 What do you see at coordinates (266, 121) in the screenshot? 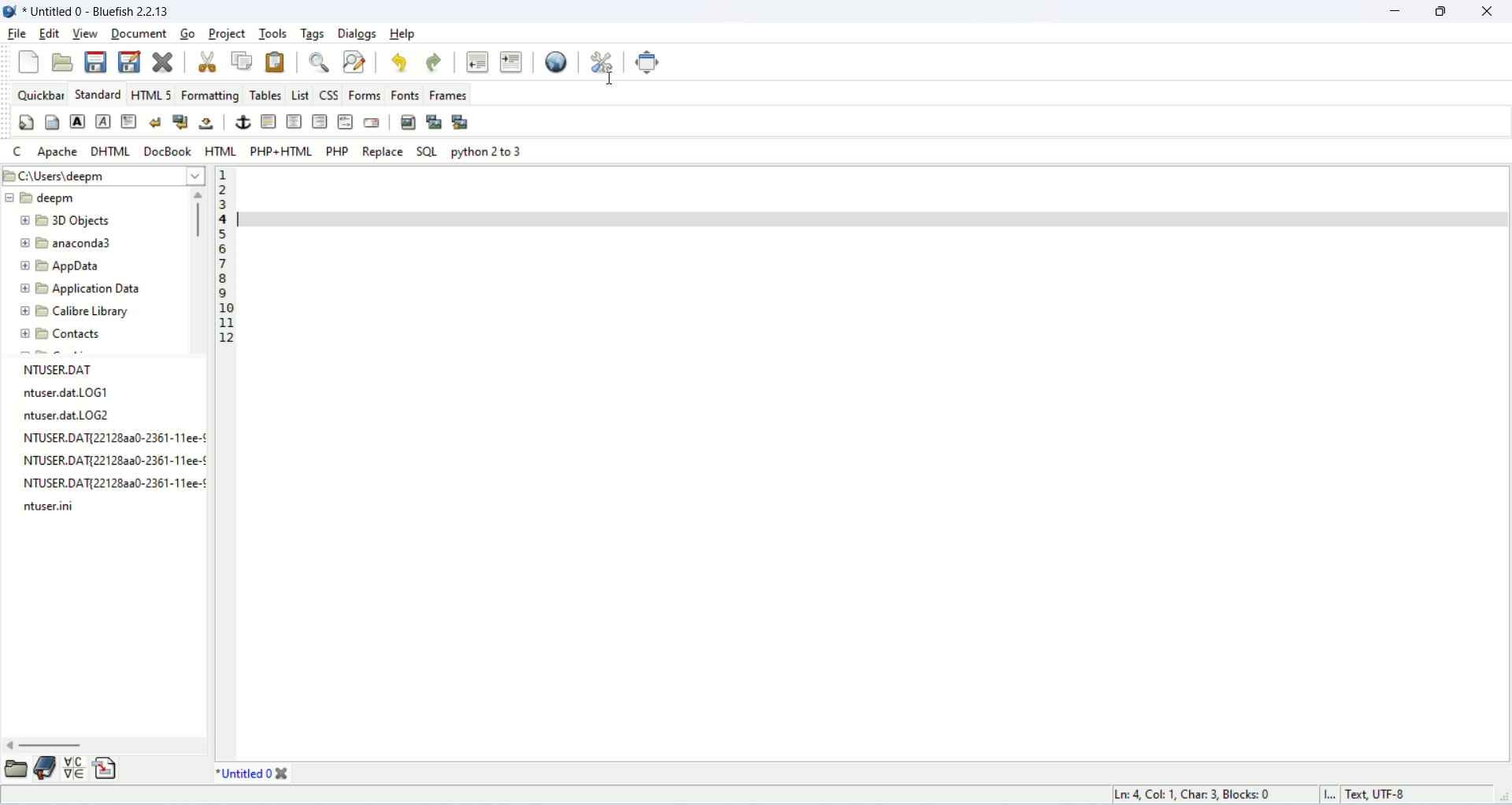
I see `horizontal rule` at bounding box center [266, 121].